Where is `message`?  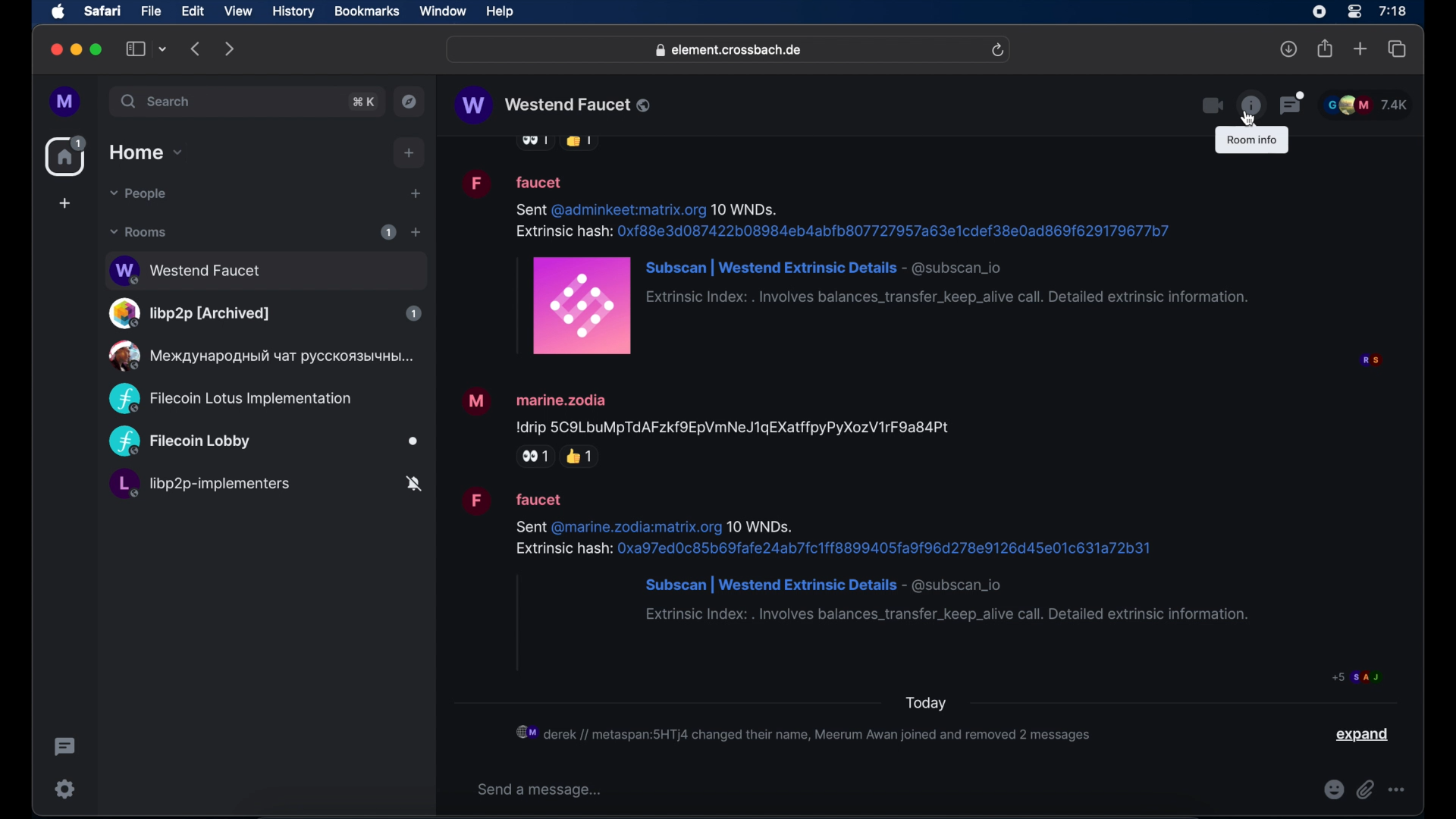
message is located at coordinates (707, 409).